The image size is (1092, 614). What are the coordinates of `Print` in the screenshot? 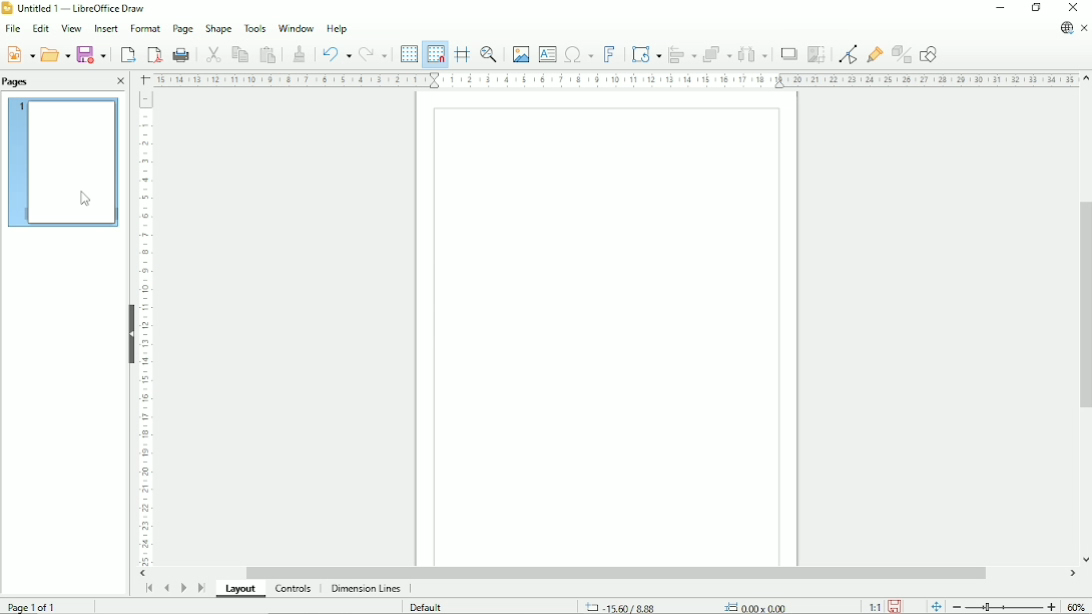 It's located at (182, 55).